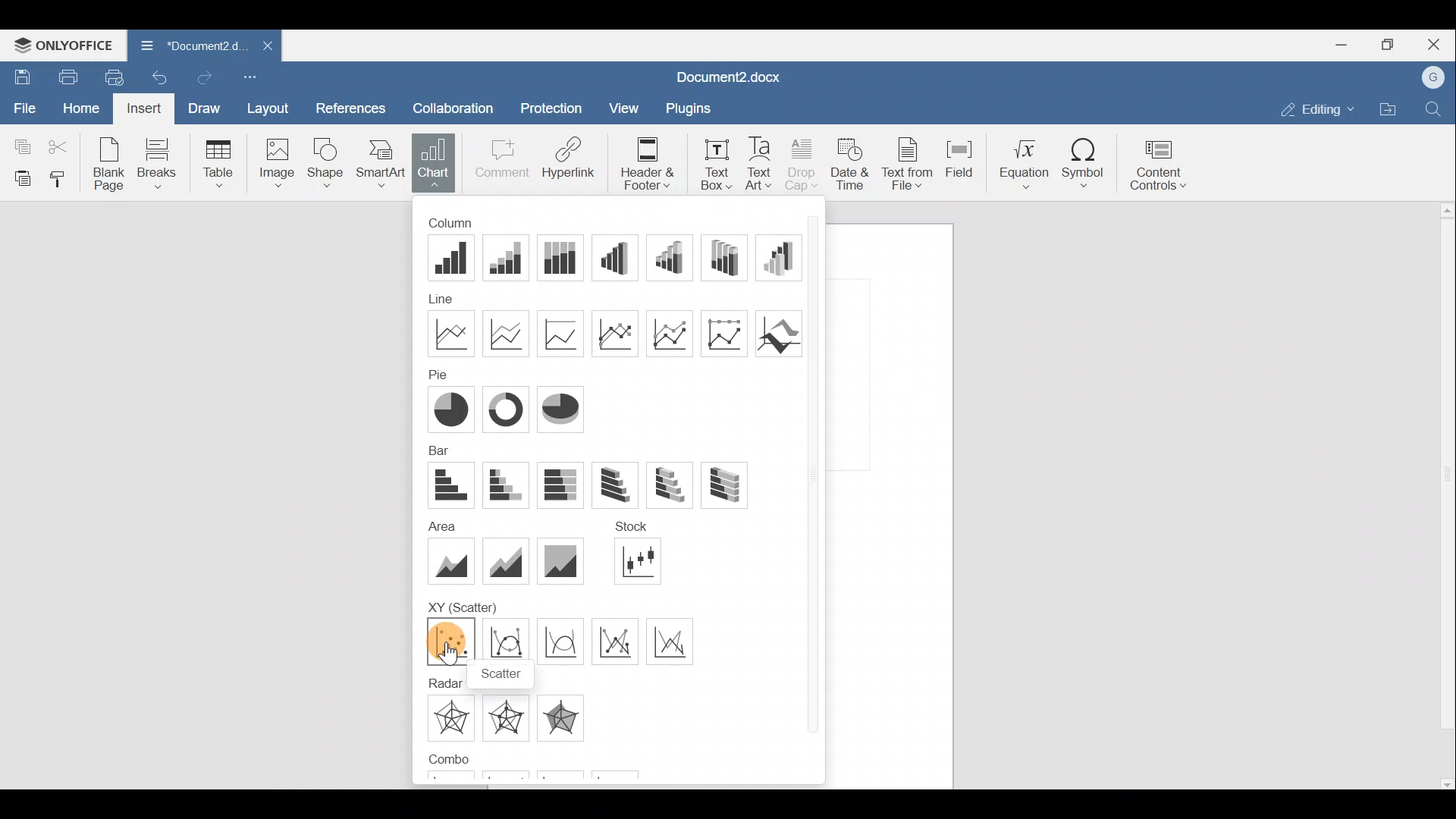  Describe the element at coordinates (449, 651) in the screenshot. I see `Cursor on scatter chart` at that location.